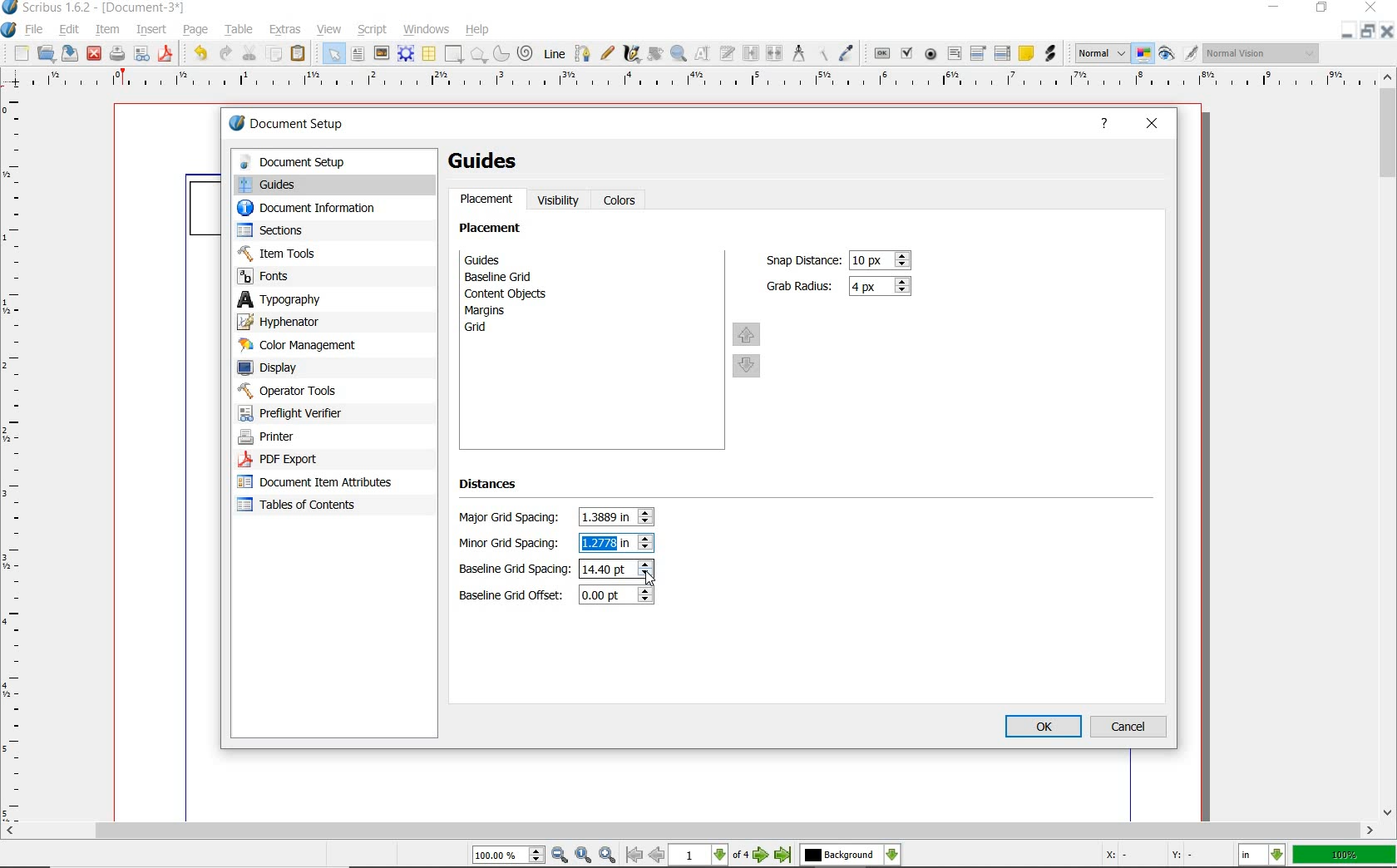  Describe the element at coordinates (554, 52) in the screenshot. I see `line` at that location.